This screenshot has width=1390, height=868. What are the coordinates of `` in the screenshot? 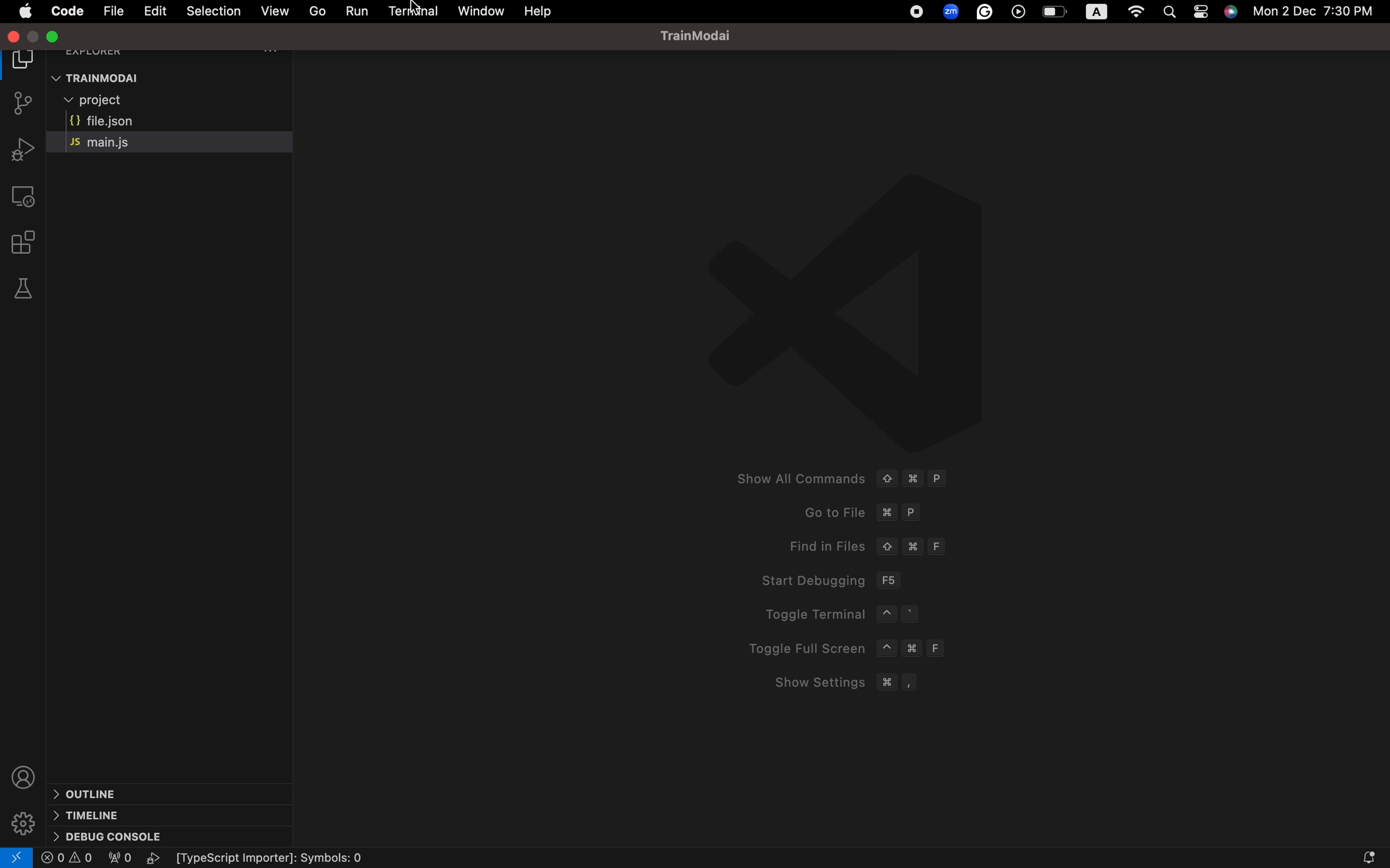 It's located at (109, 835).